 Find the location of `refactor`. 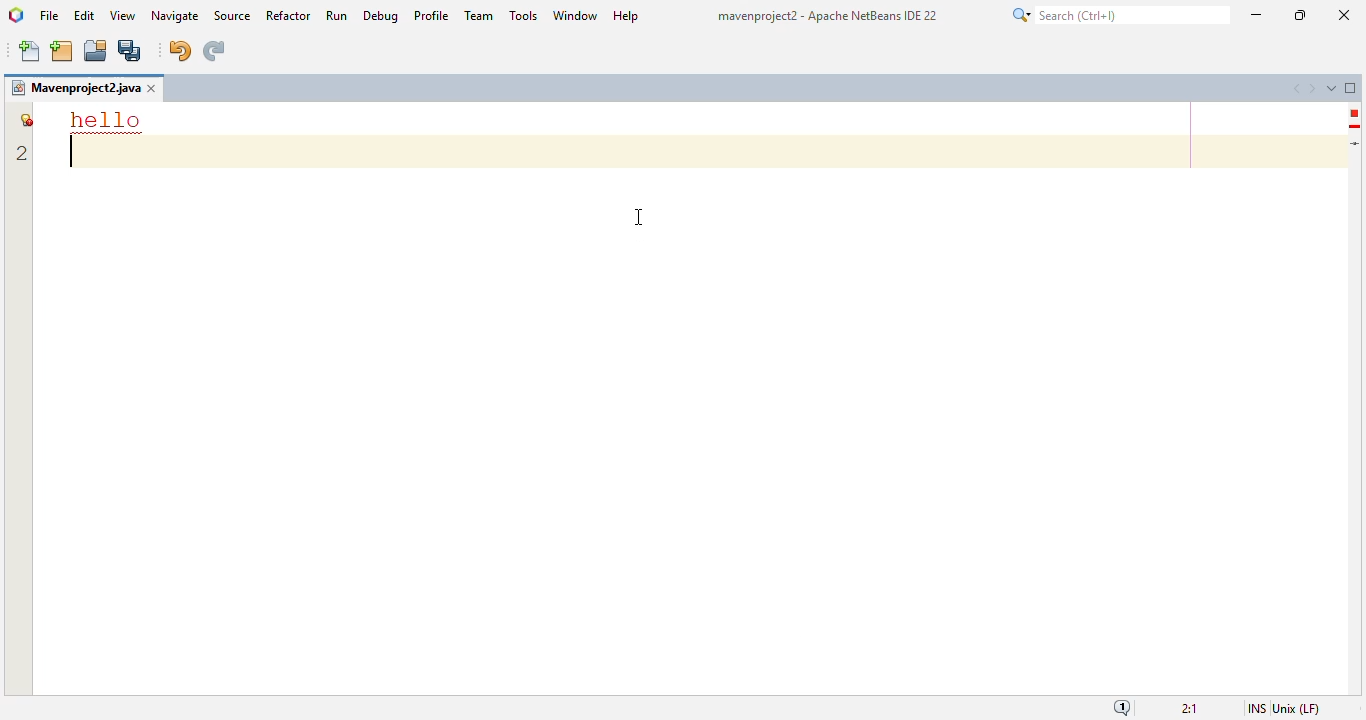

refactor is located at coordinates (289, 15).